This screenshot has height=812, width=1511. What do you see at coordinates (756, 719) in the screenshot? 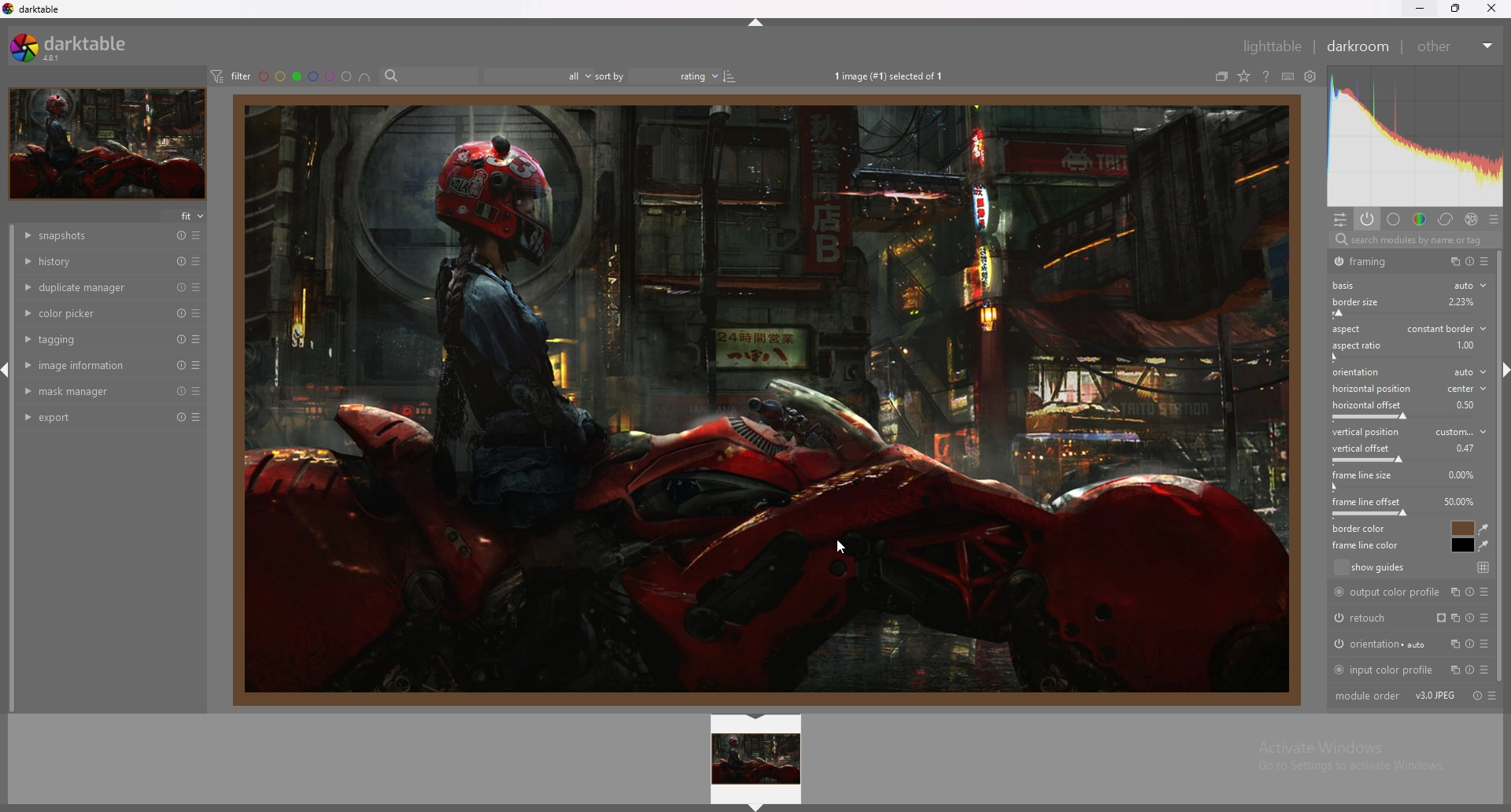
I see `hide ` at bounding box center [756, 719].